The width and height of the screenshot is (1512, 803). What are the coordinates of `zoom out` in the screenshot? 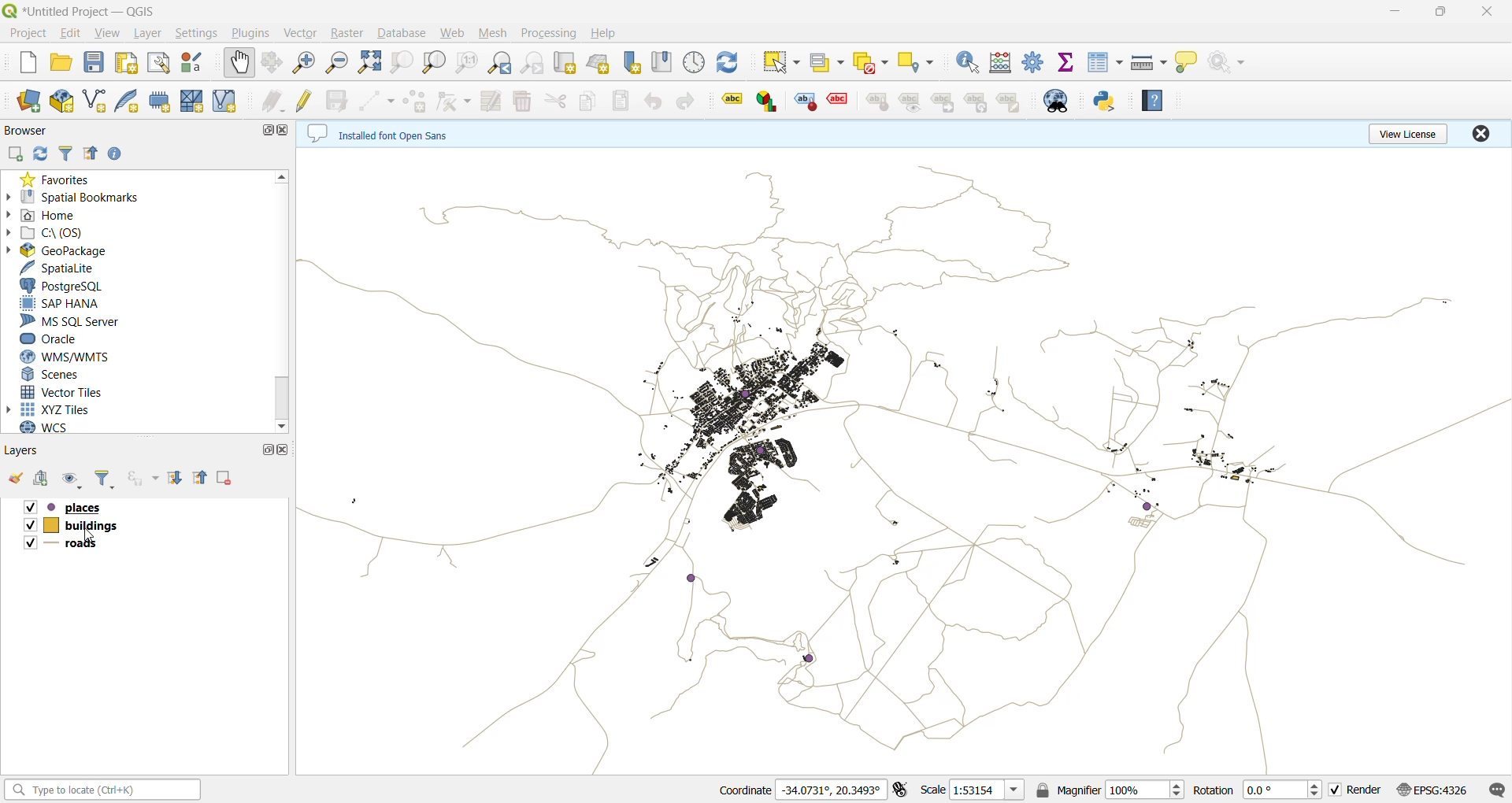 It's located at (335, 63).